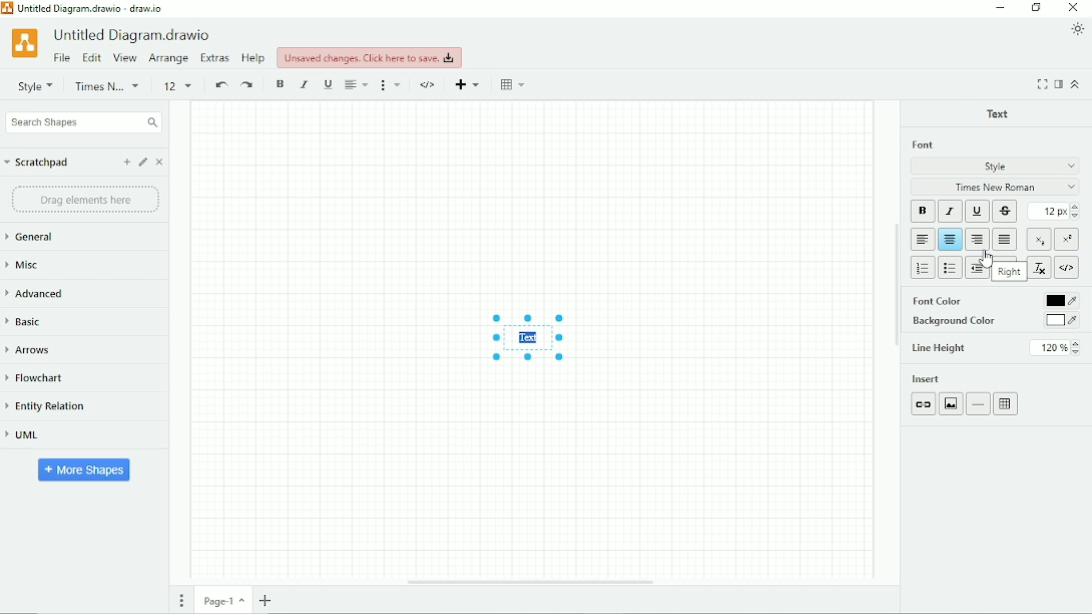  Describe the element at coordinates (997, 187) in the screenshot. I see `Times New Roman` at that location.